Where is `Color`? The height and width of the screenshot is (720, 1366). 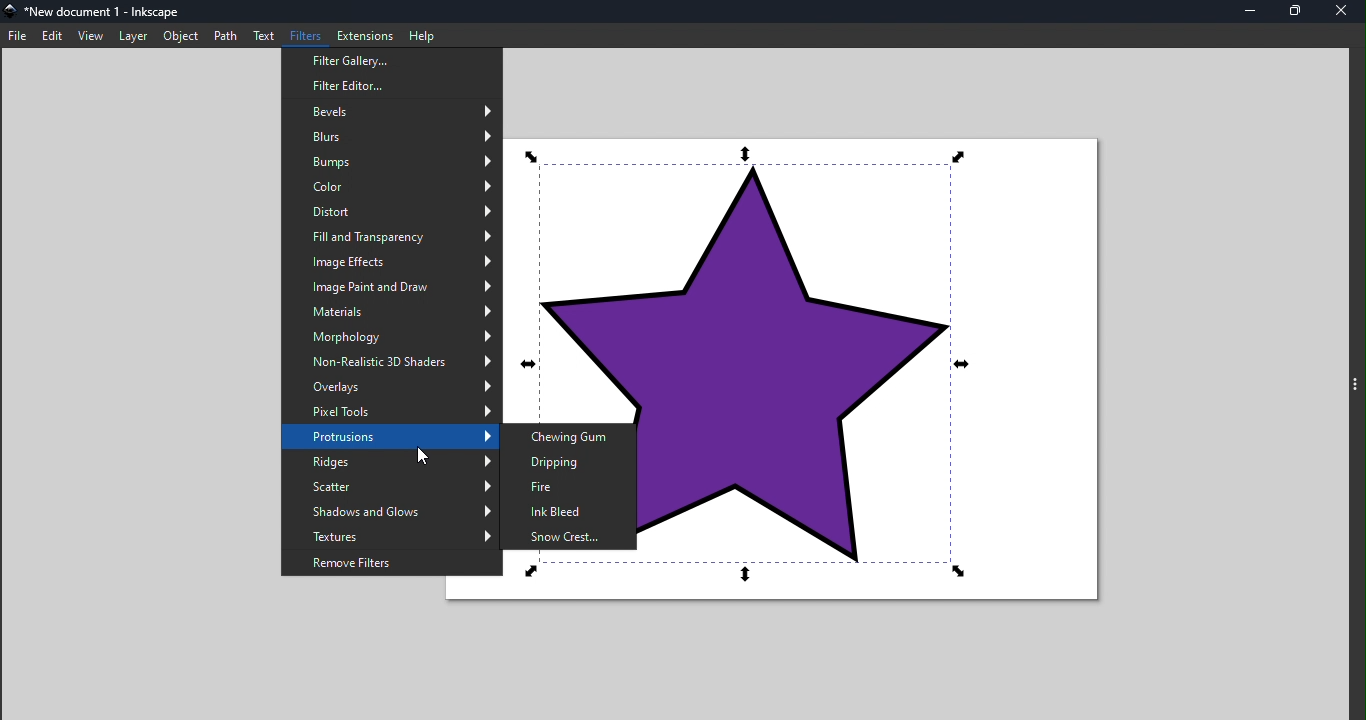
Color is located at coordinates (396, 189).